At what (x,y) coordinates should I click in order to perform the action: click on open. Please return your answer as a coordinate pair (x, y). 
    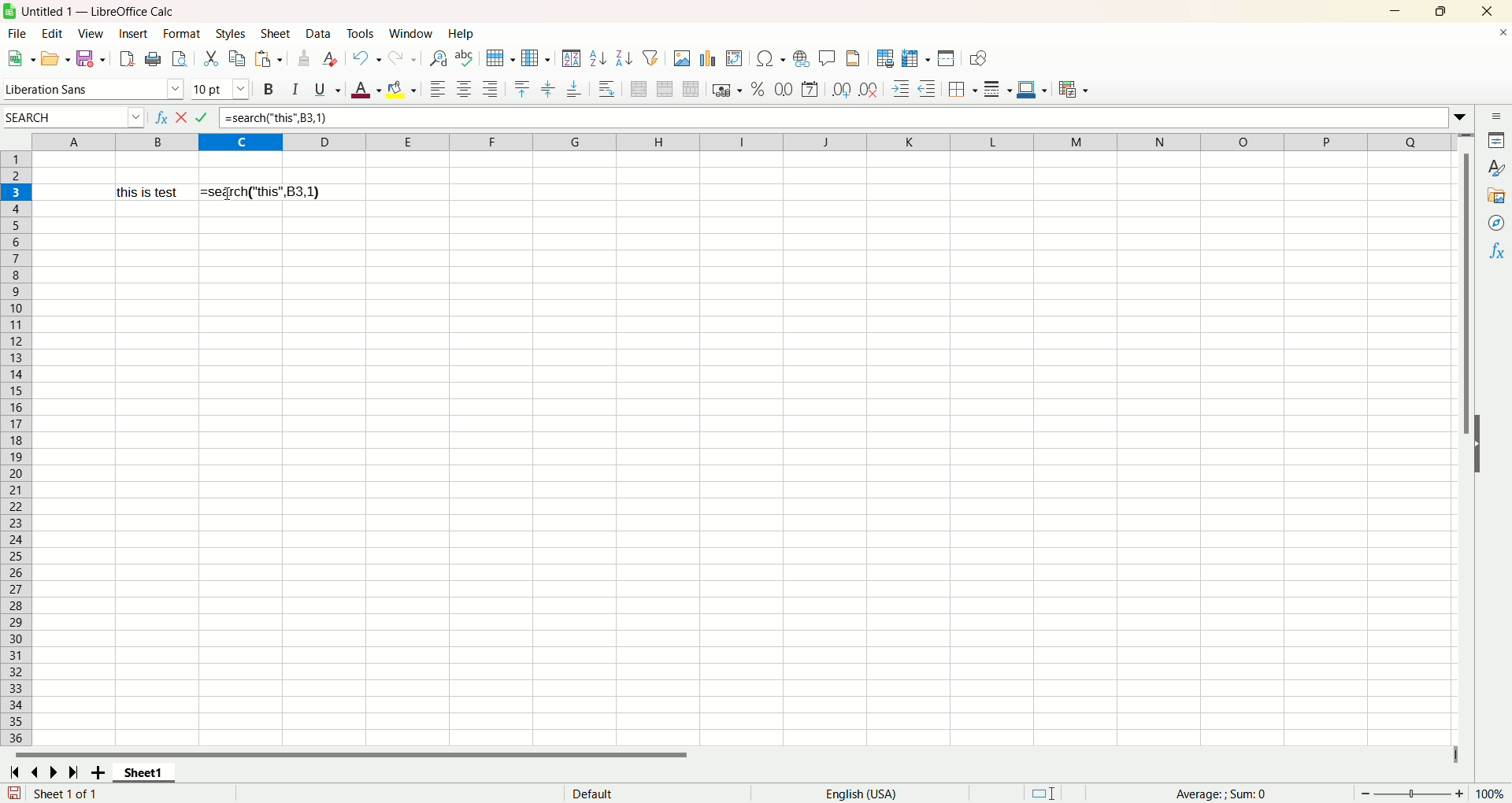
    Looking at the image, I should click on (55, 59).